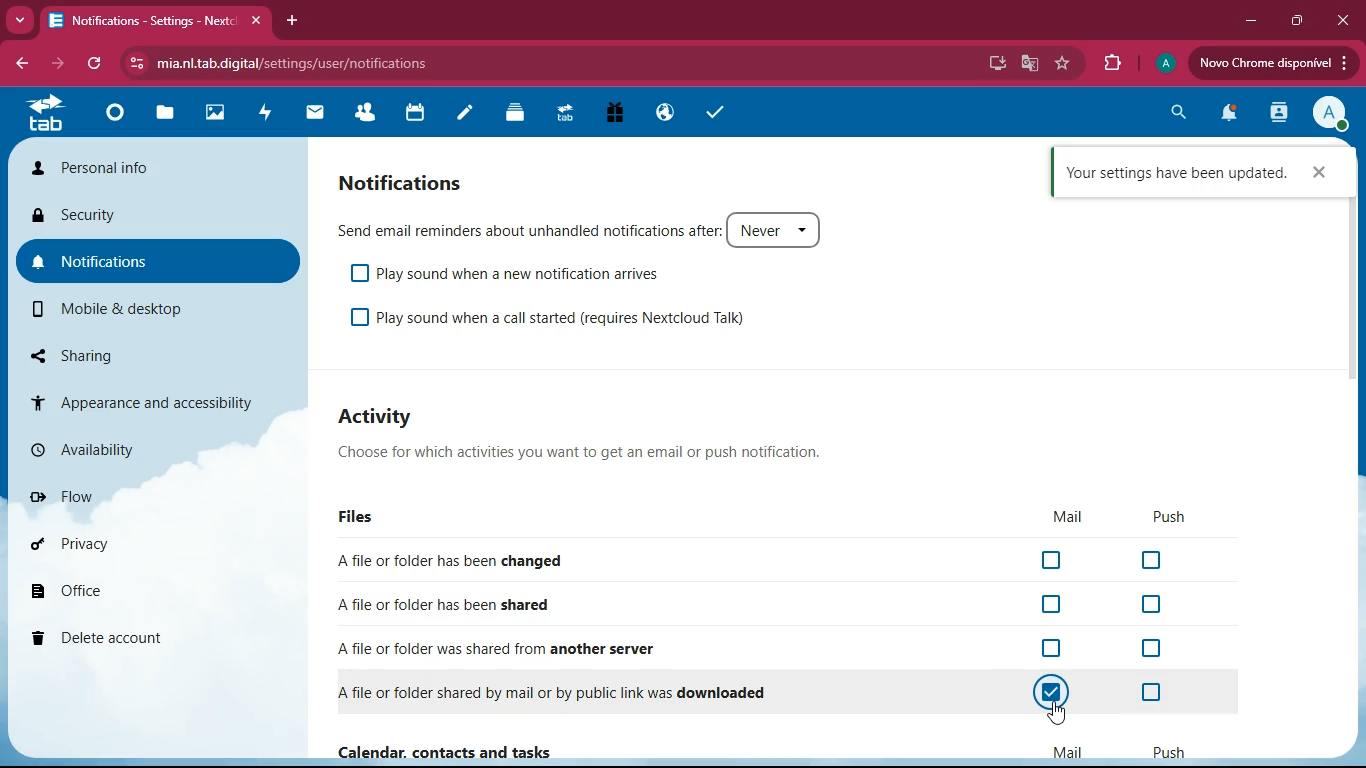 This screenshot has height=768, width=1366. Describe the element at coordinates (1168, 748) in the screenshot. I see `push` at that location.